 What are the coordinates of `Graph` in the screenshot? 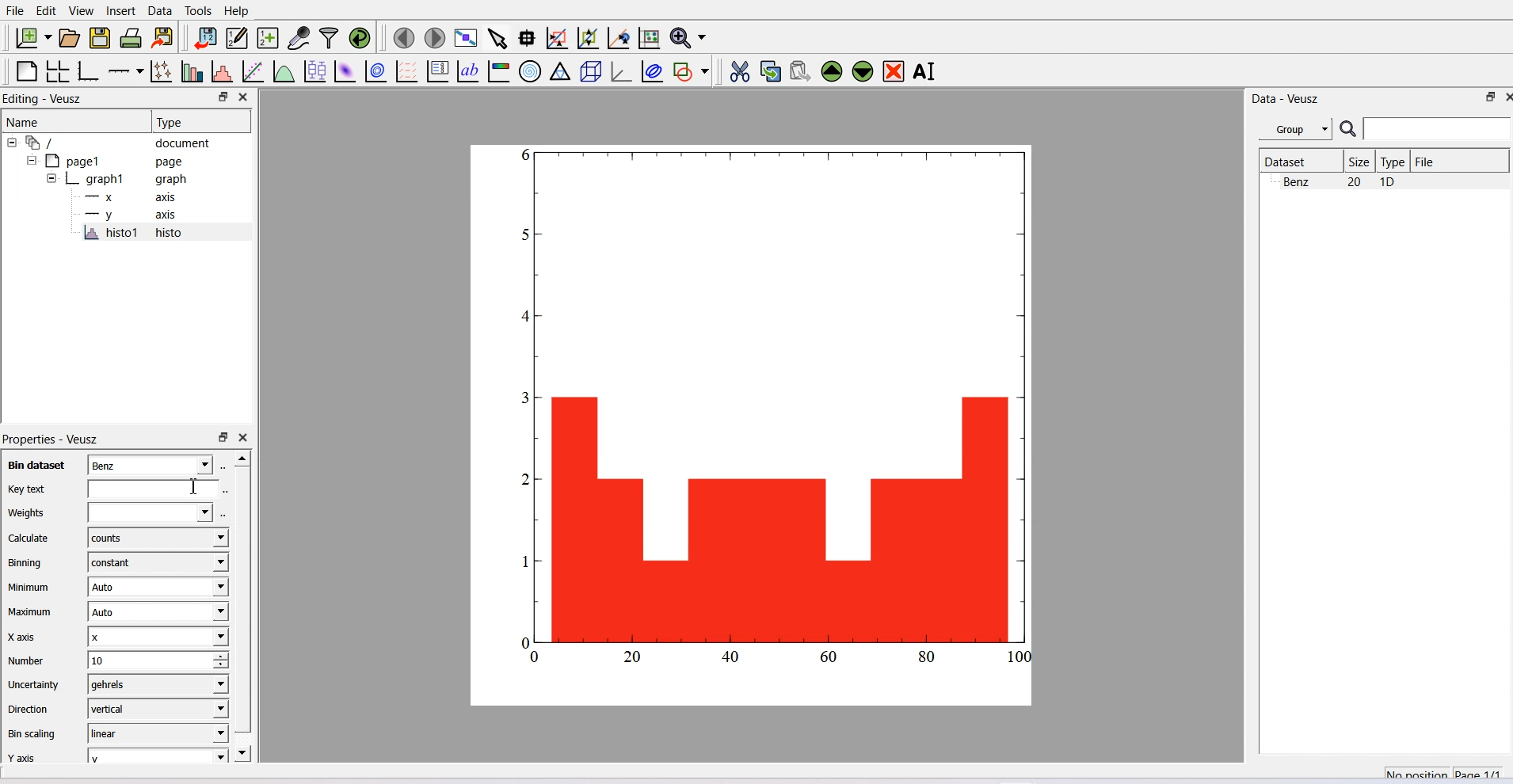 It's located at (128, 178).